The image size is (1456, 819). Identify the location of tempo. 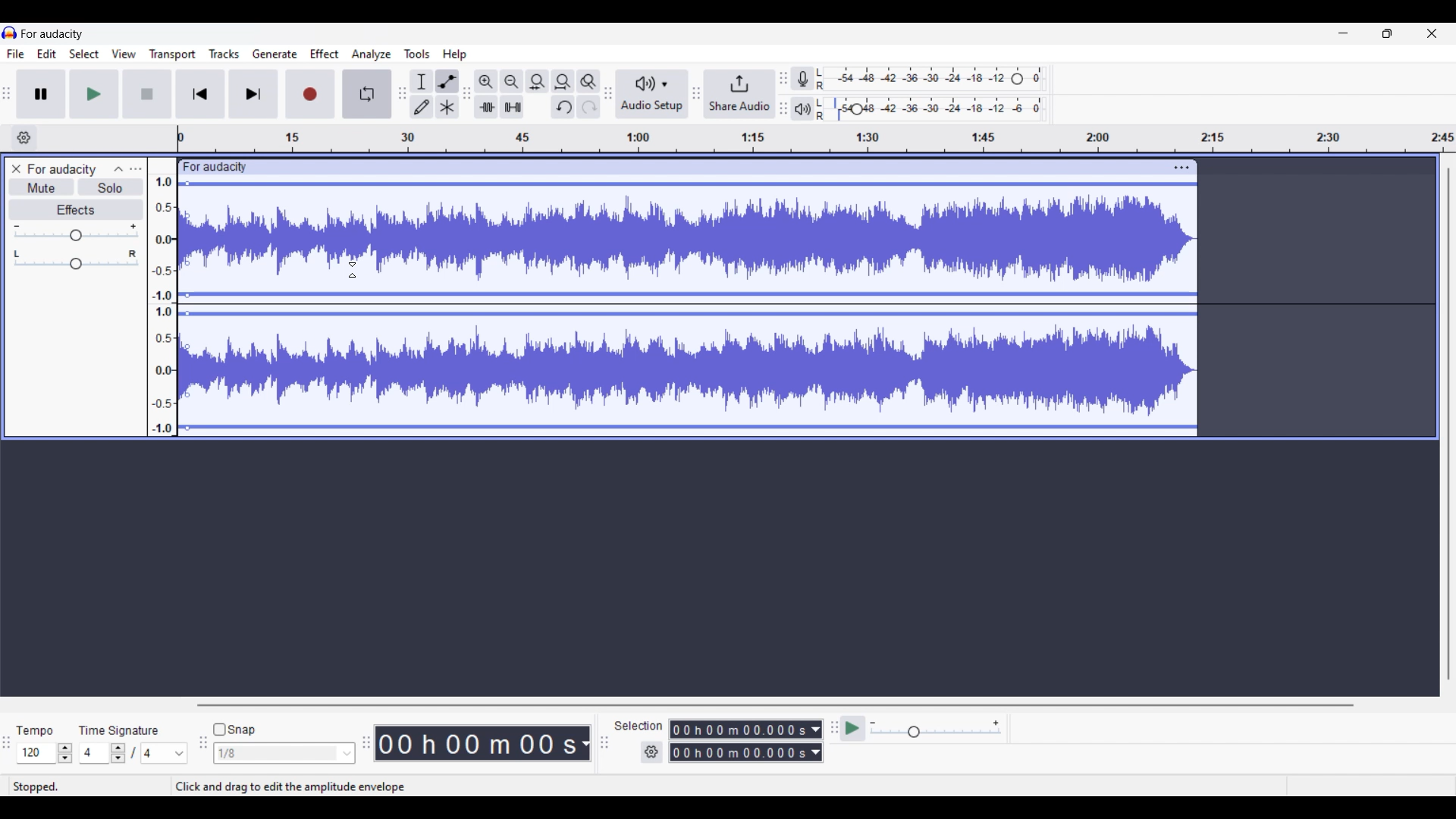
(33, 731).